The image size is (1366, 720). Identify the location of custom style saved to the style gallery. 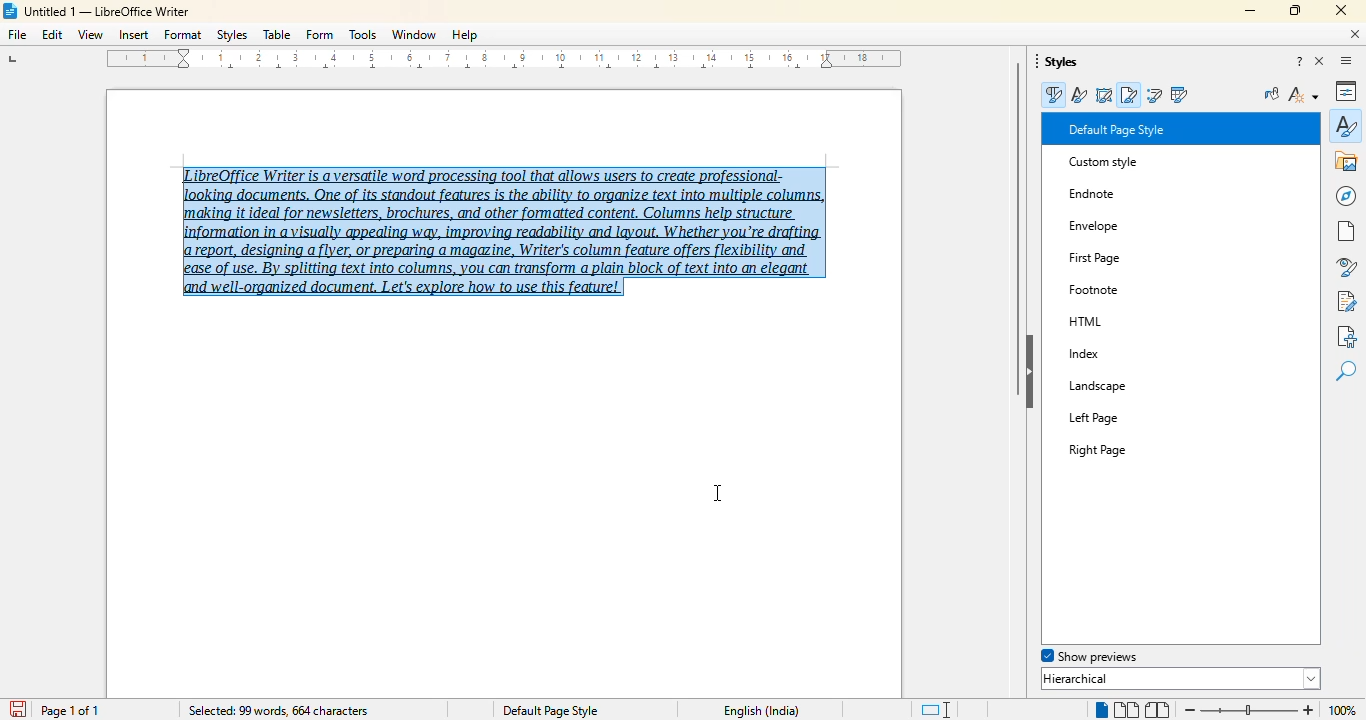
(1106, 162).